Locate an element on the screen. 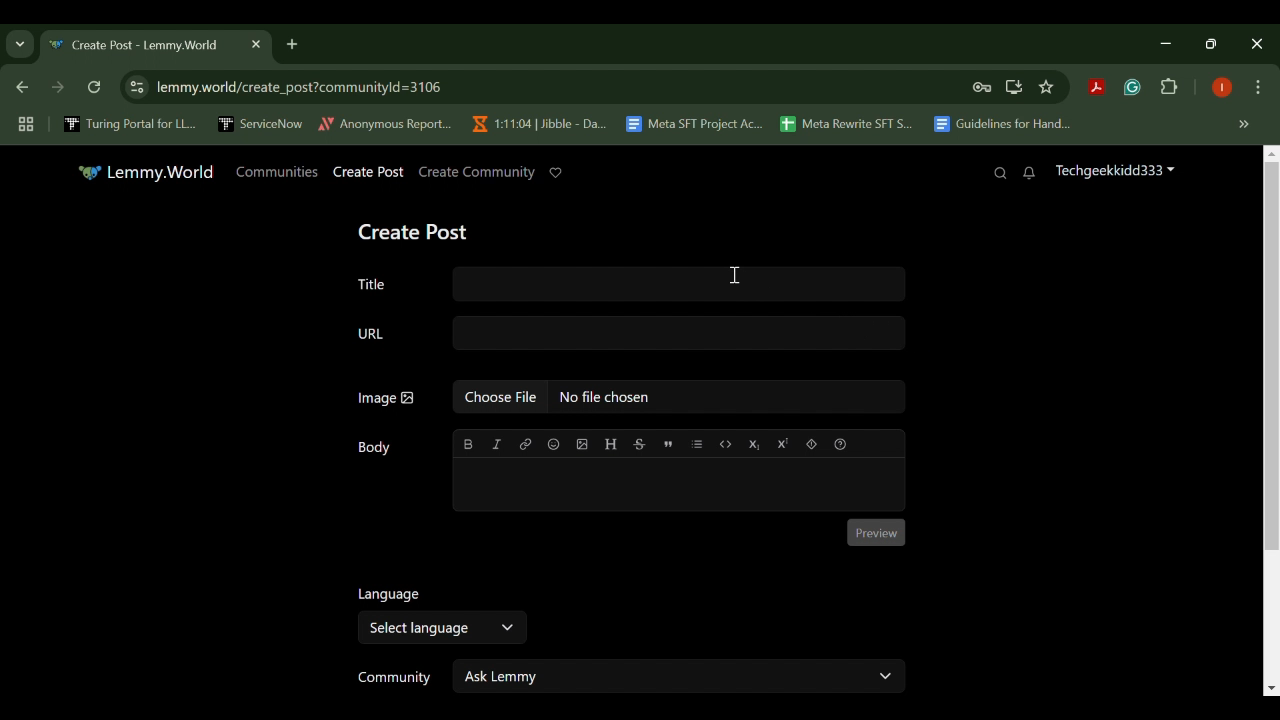 The width and height of the screenshot is (1280, 720). Previous Page Dropdown Menu is located at coordinates (20, 45).